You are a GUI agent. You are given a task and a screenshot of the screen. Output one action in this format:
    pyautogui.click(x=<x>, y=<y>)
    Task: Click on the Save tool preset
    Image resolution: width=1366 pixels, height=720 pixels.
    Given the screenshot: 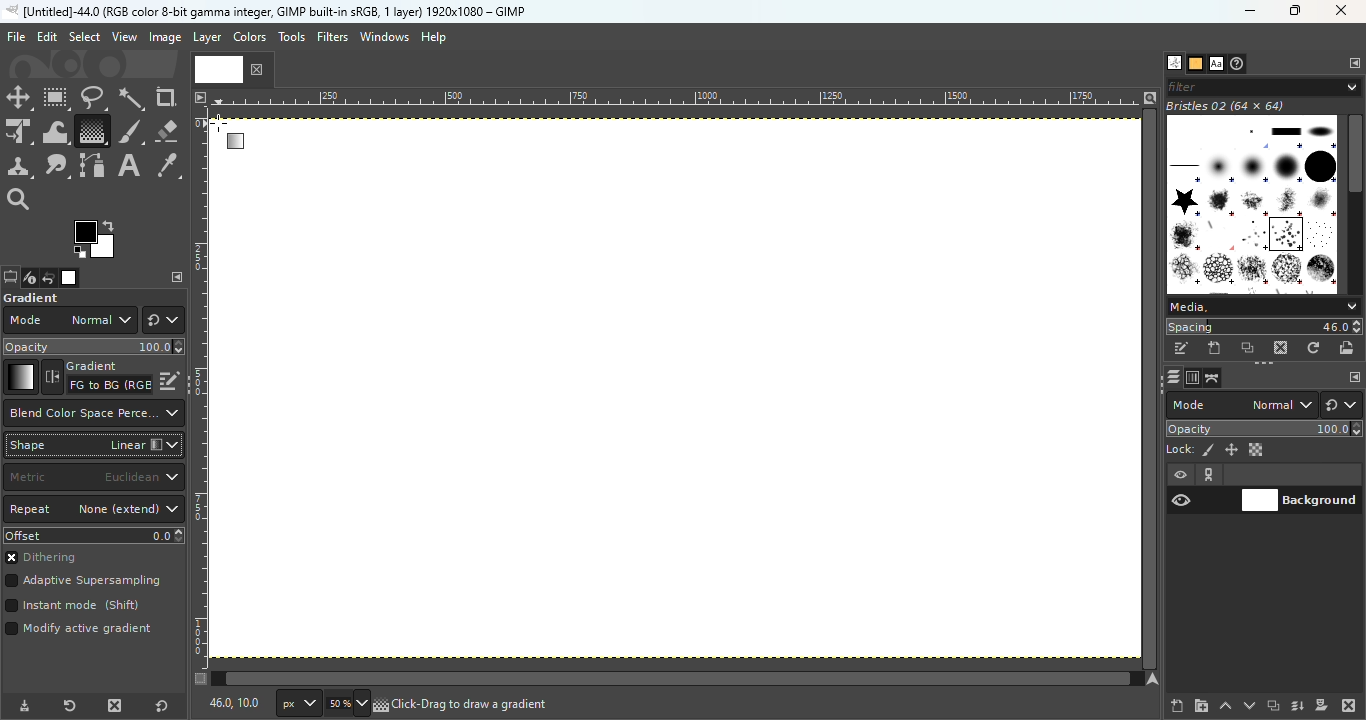 What is the action you would take?
    pyautogui.click(x=22, y=707)
    